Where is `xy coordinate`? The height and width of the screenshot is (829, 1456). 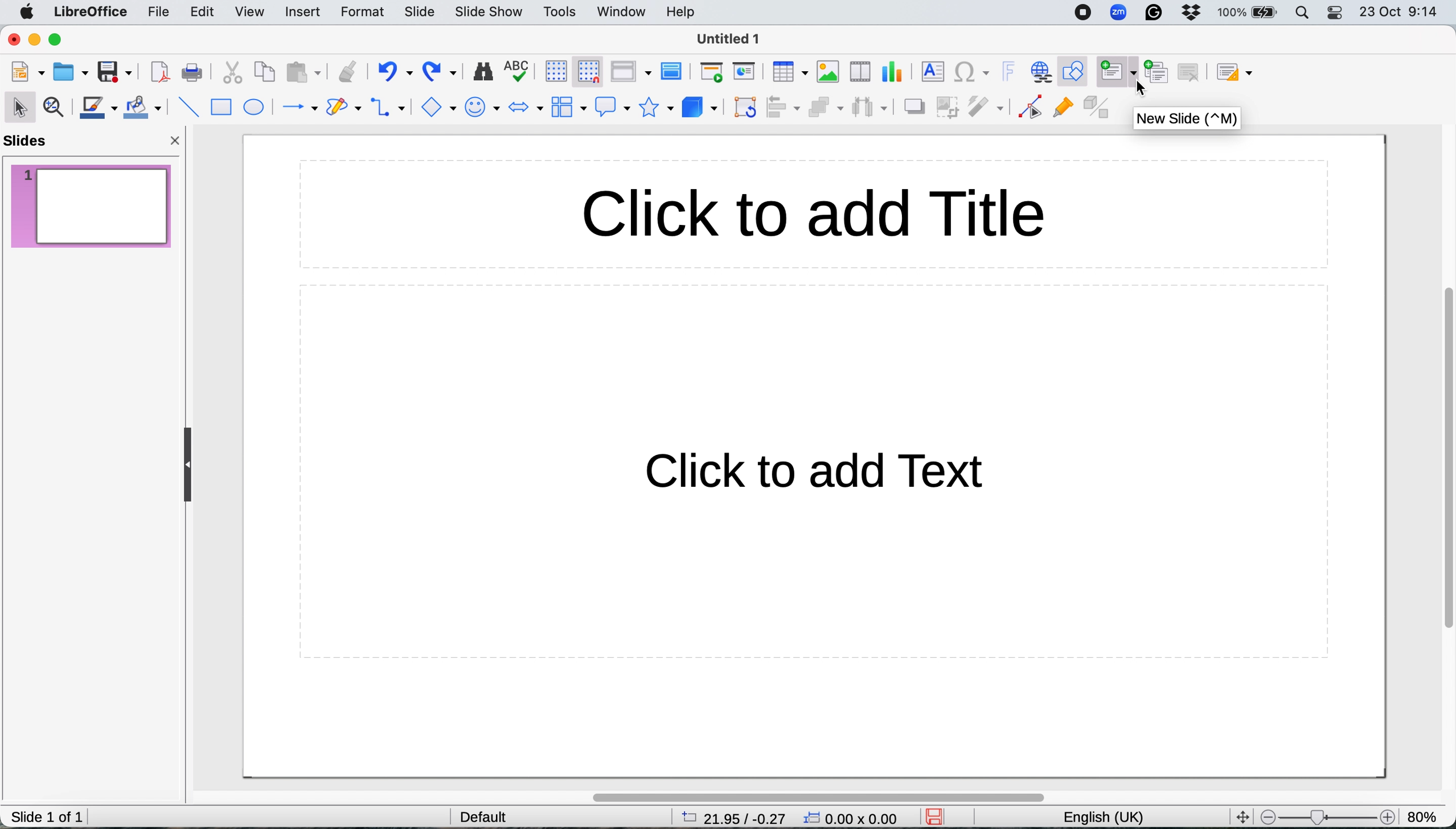 xy coordinate is located at coordinates (854, 817).